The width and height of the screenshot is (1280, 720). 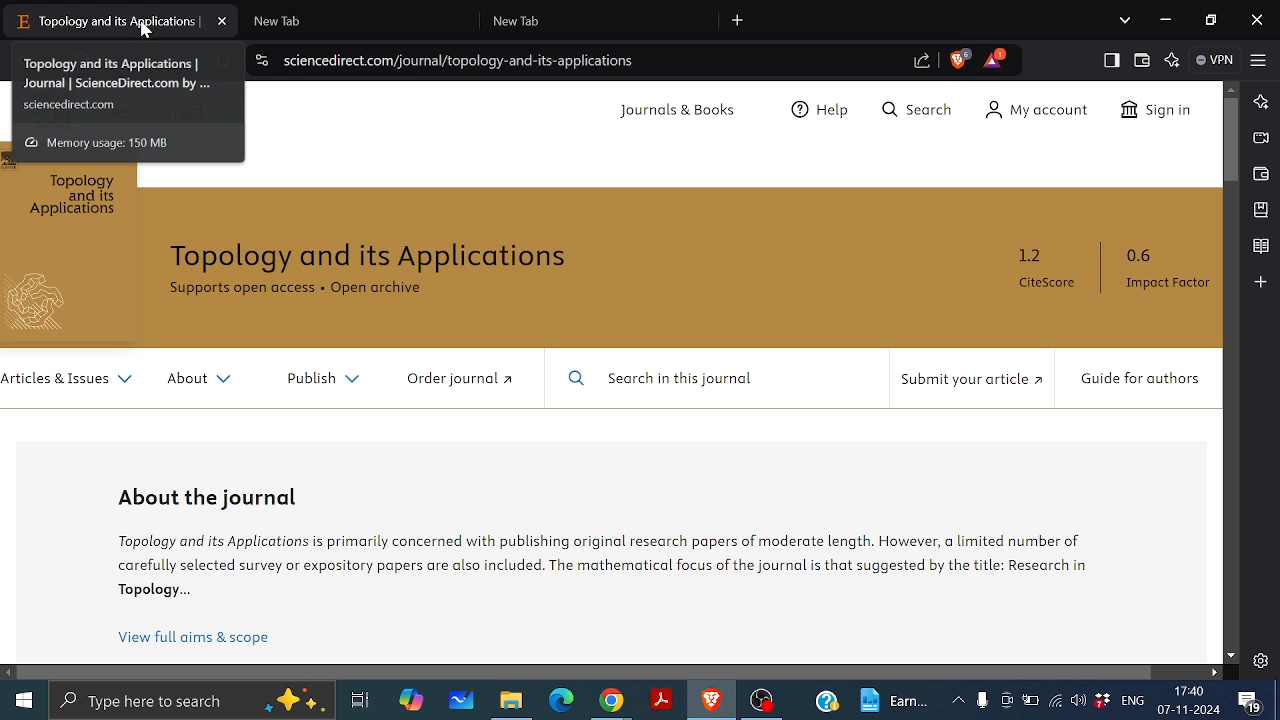 What do you see at coordinates (463, 61) in the screenshot?
I see `Web address of the current page` at bounding box center [463, 61].